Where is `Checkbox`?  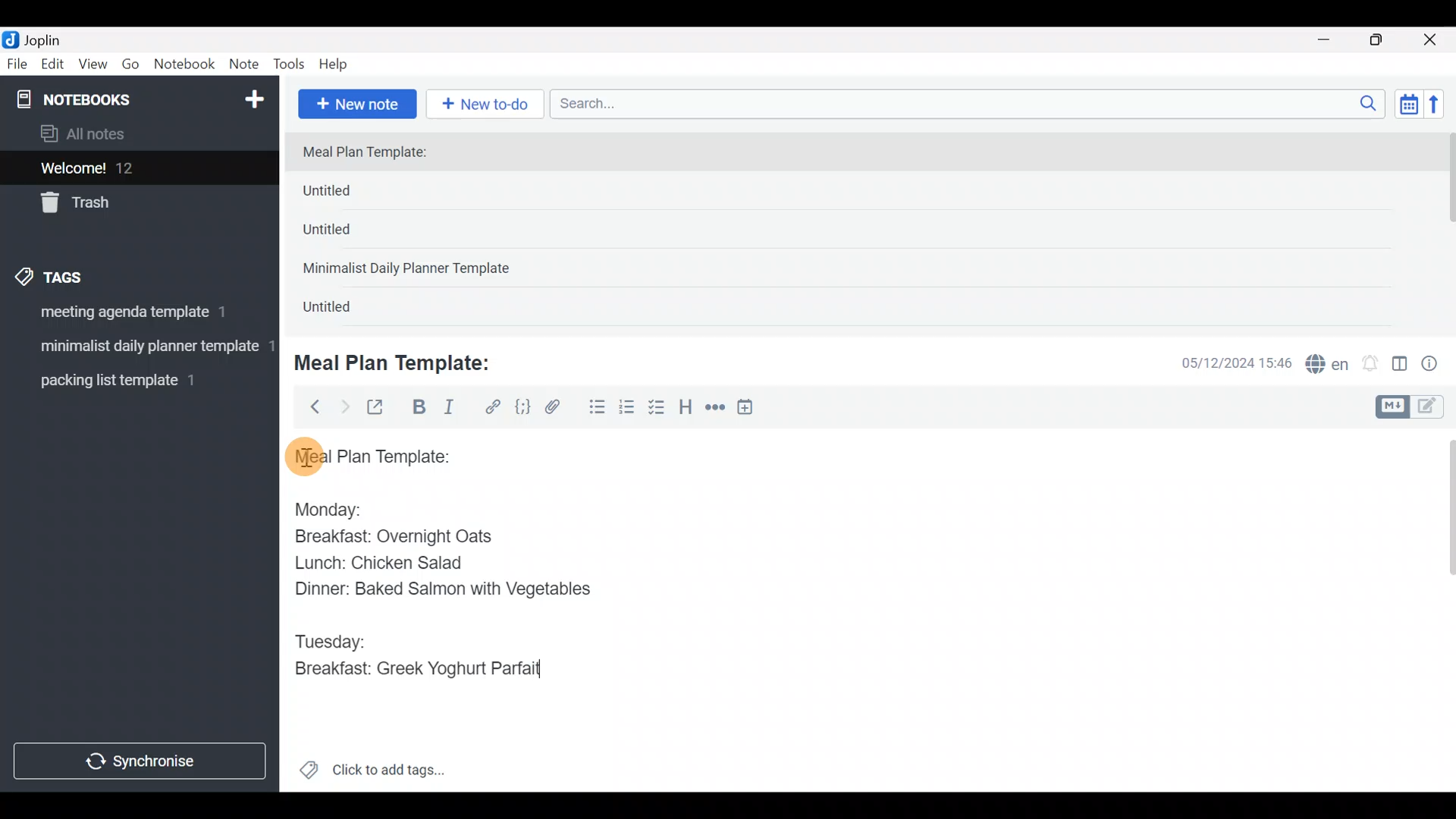 Checkbox is located at coordinates (658, 409).